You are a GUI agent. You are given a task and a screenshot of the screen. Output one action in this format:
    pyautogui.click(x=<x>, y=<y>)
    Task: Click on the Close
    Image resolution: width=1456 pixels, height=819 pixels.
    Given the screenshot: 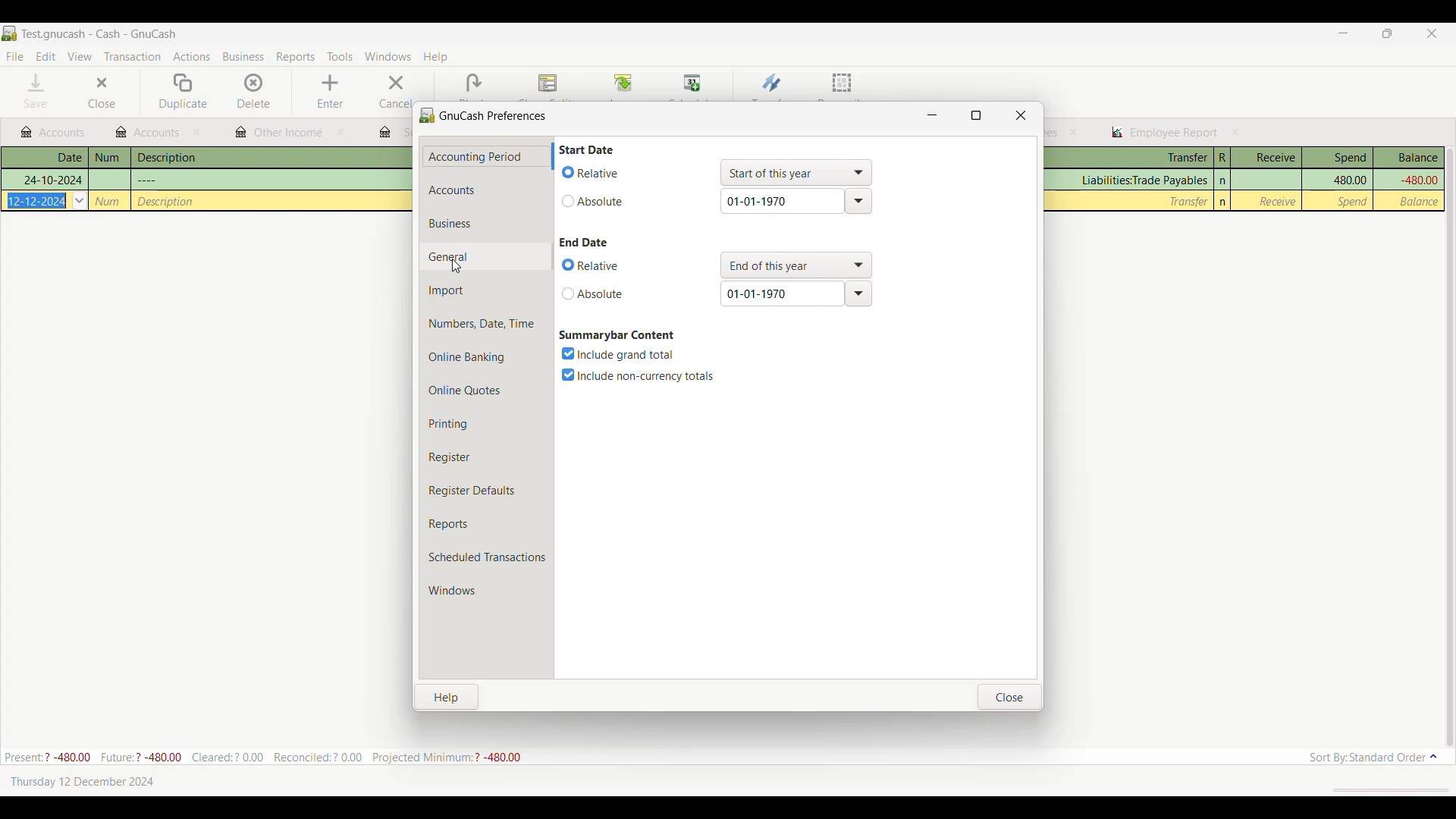 What is the action you would take?
    pyautogui.click(x=101, y=92)
    